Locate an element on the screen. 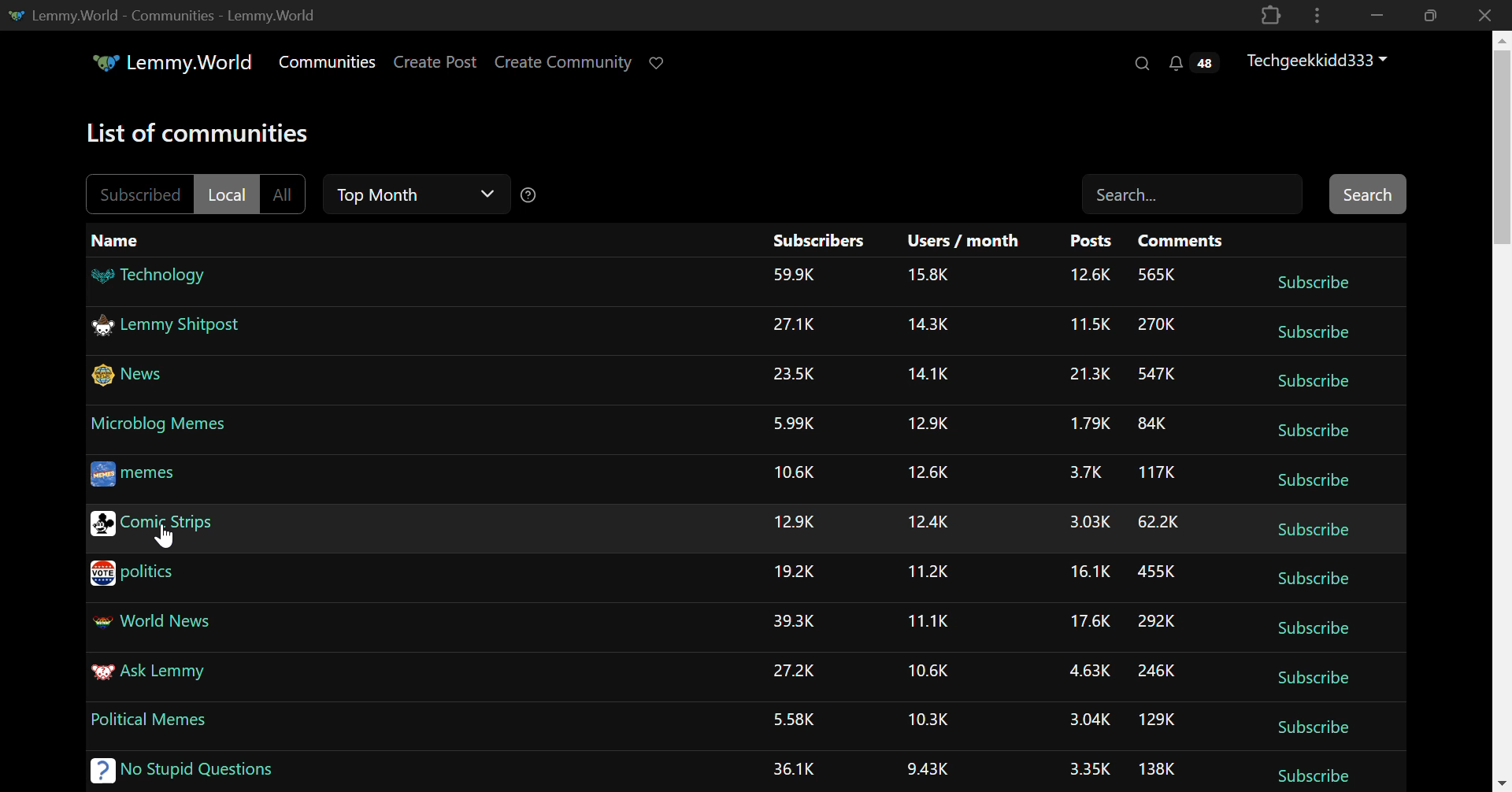 The width and height of the screenshot is (1512, 792). Lemmy.World is located at coordinates (172, 65).